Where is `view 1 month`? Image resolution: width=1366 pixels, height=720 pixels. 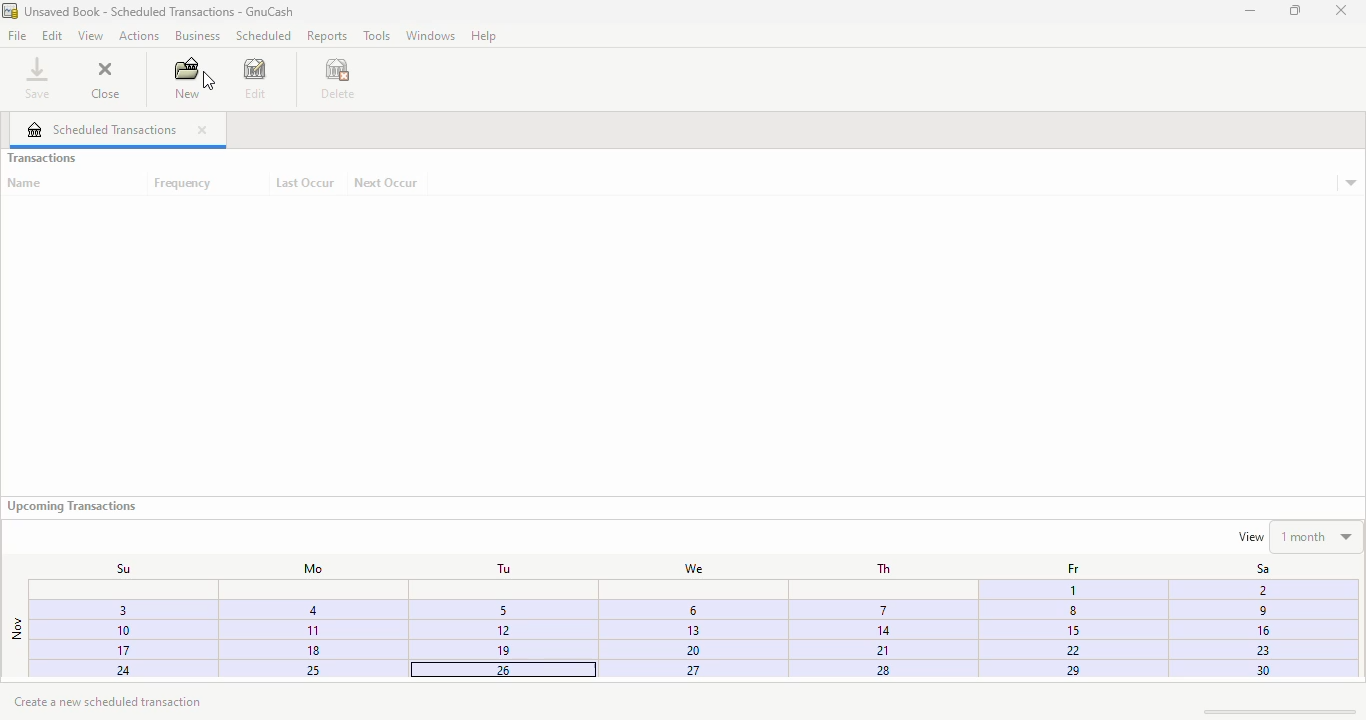 view 1 month is located at coordinates (1298, 535).